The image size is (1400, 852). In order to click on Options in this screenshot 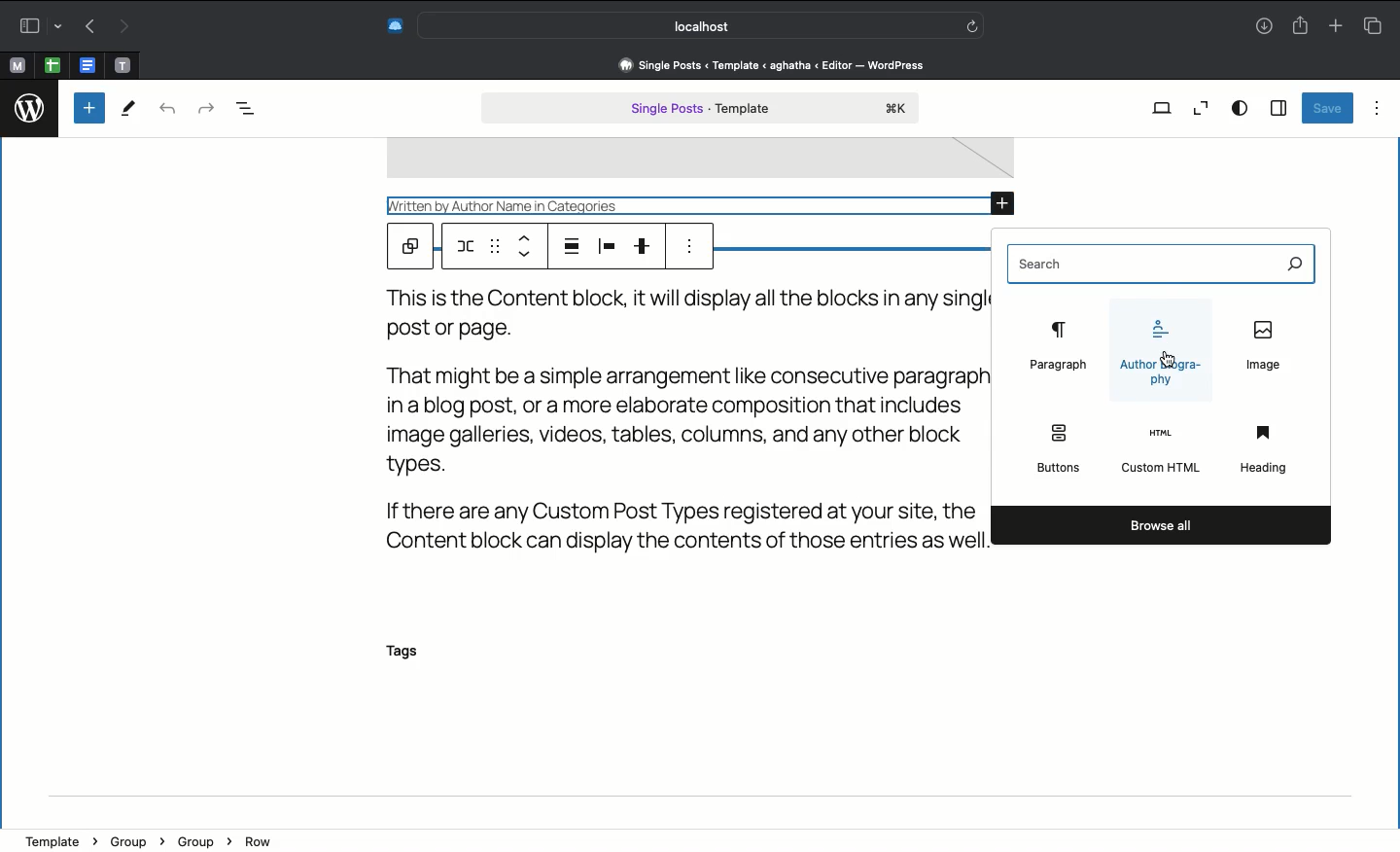, I will do `click(693, 248)`.